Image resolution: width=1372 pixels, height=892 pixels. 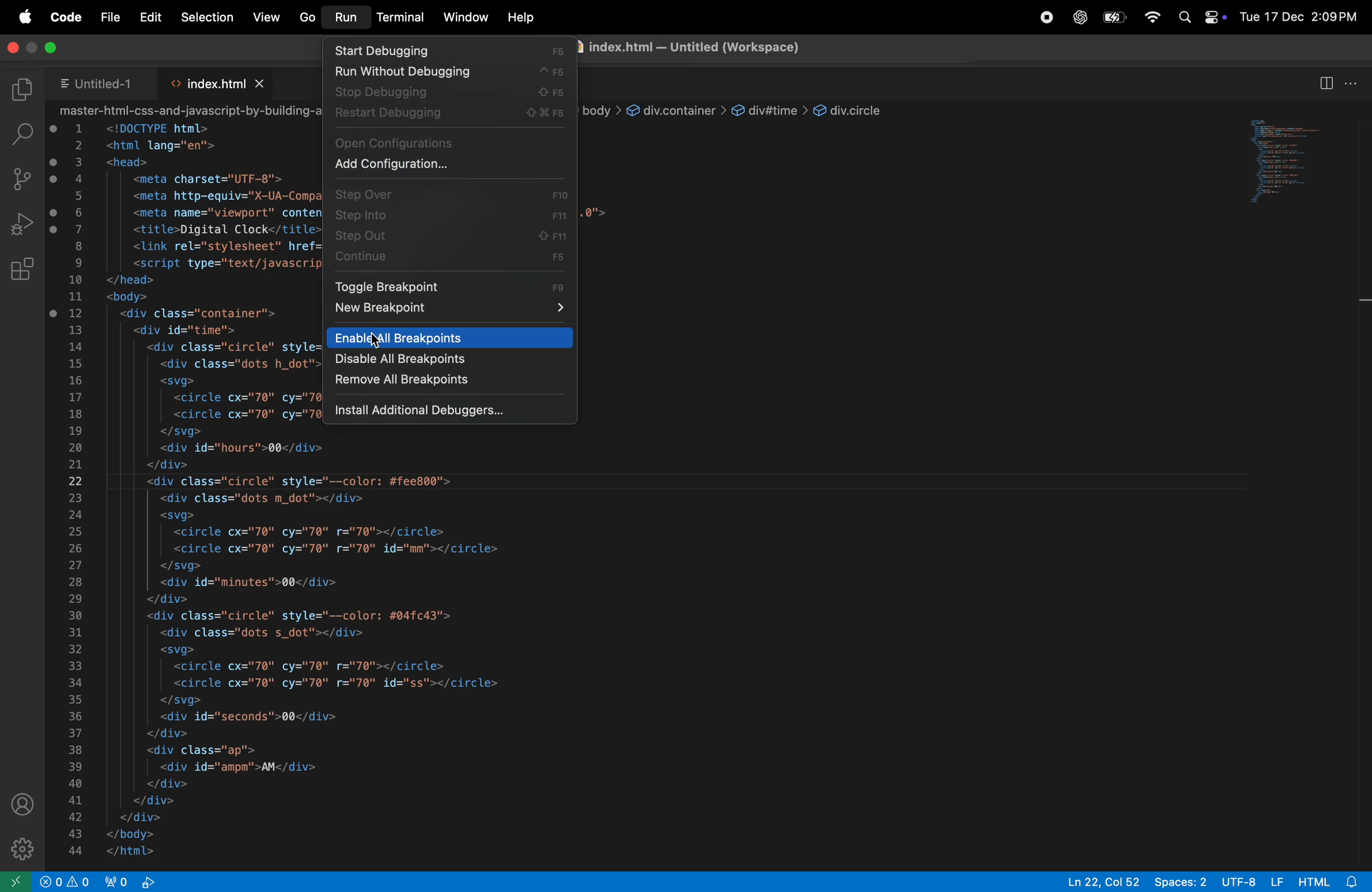 What do you see at coordinates (452, 143) in the screenshot?
I see `open ` at bounding box center [452, 143].